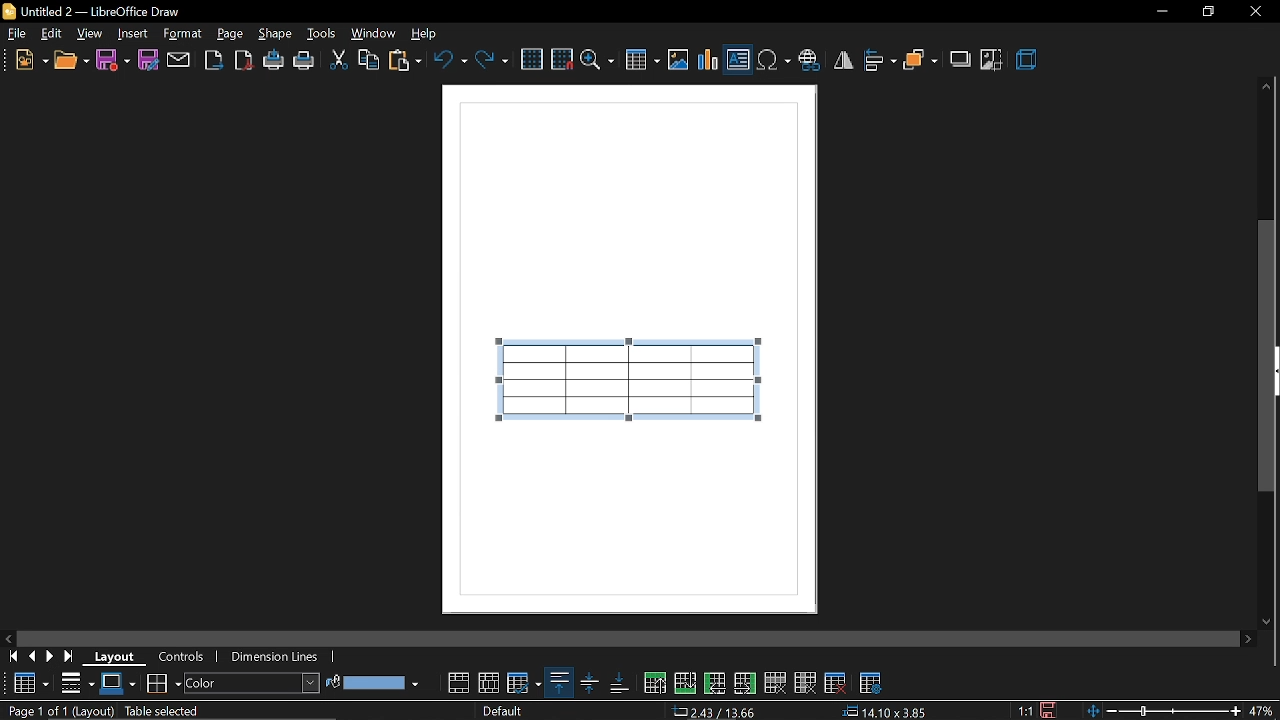 This screenshot has width=1280, height=720. I want to click on insert, so click(134, 34).